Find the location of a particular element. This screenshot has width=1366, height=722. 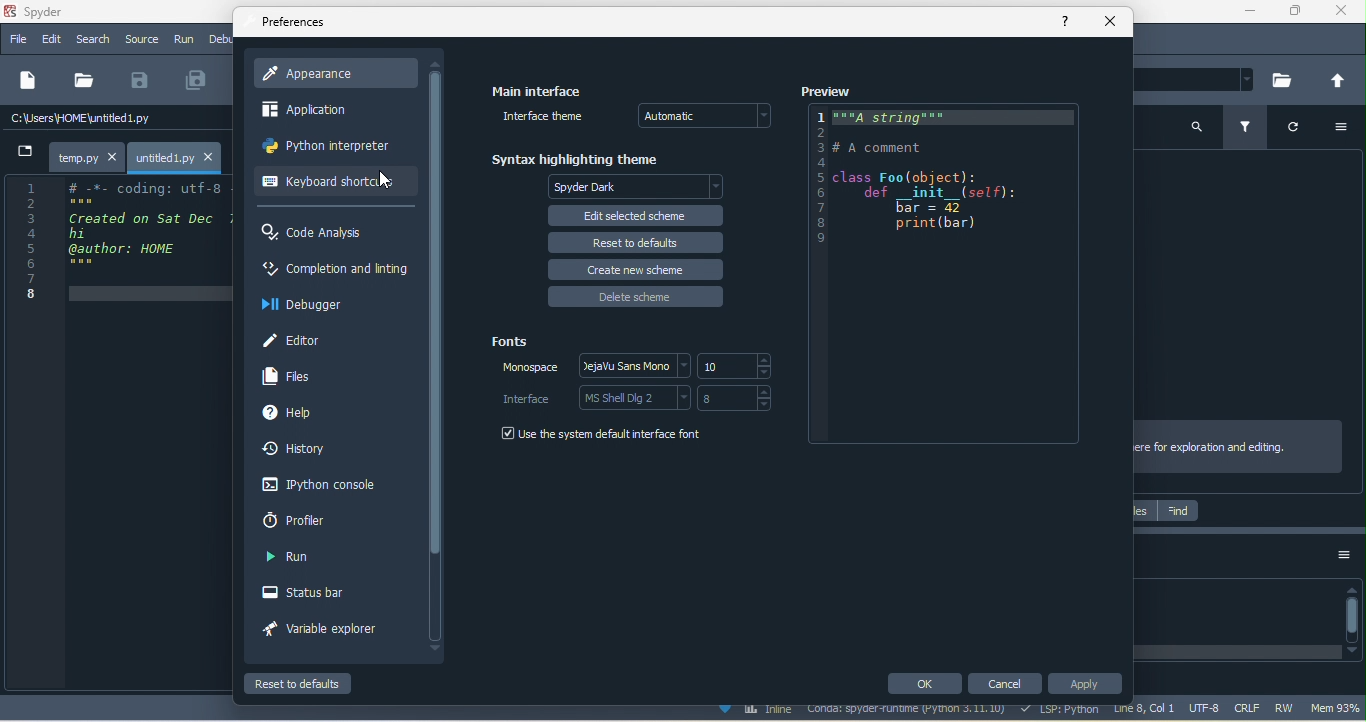

search is located at coordinates (92, 40).